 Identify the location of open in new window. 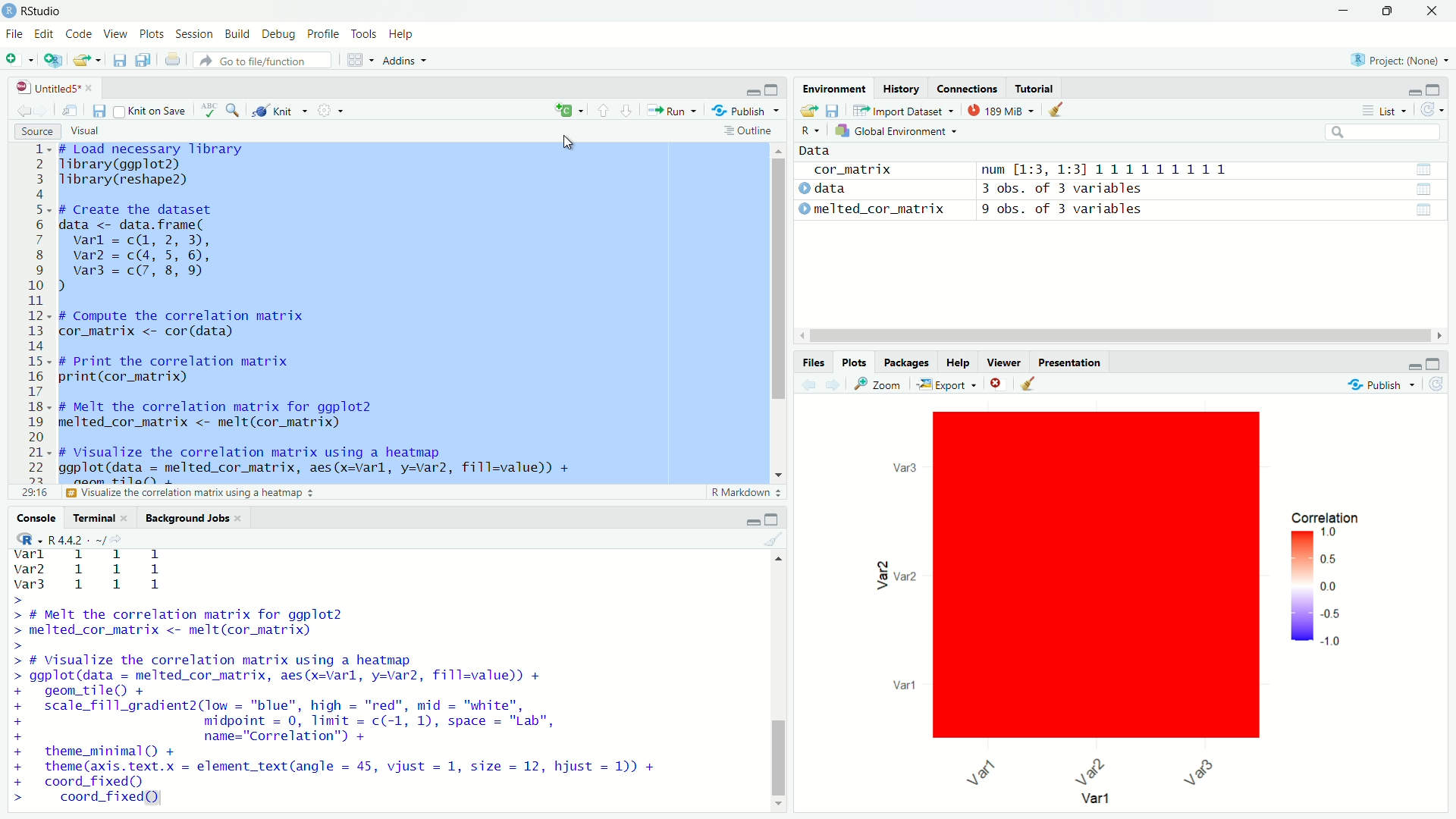
(74, 111).